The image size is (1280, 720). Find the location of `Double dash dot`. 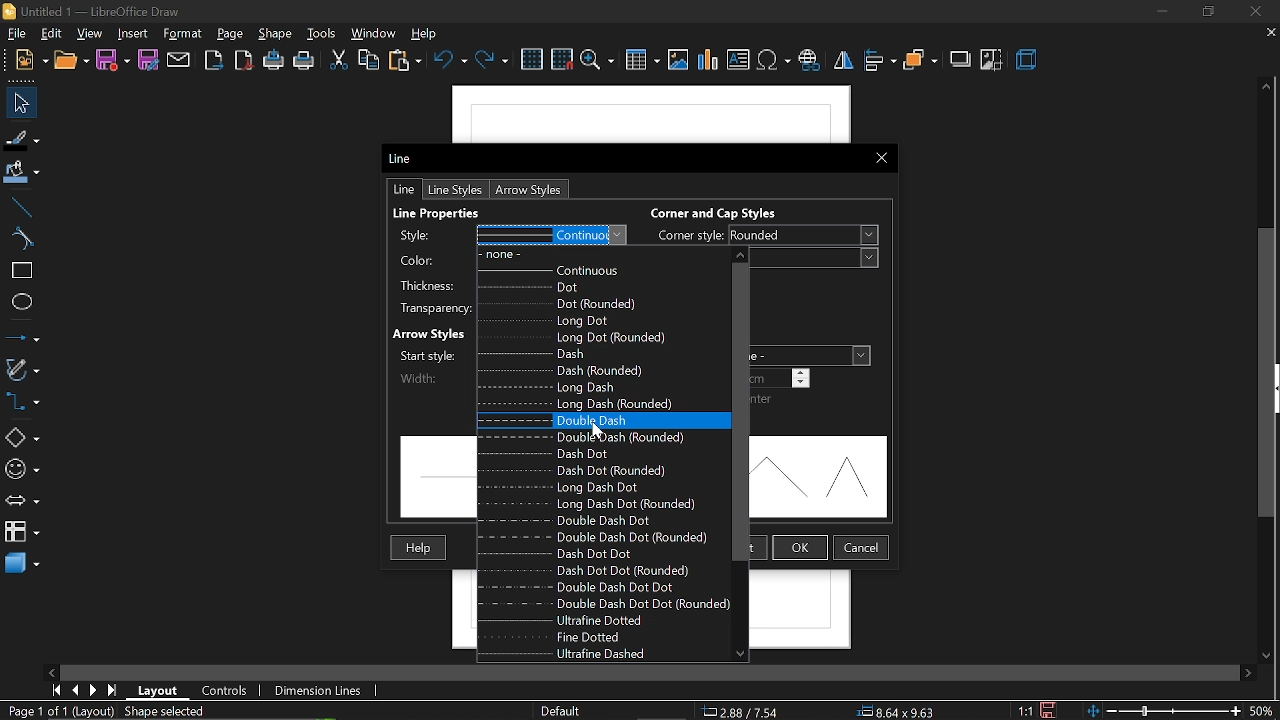

Double dash dot is located at coordinates (600, 520).